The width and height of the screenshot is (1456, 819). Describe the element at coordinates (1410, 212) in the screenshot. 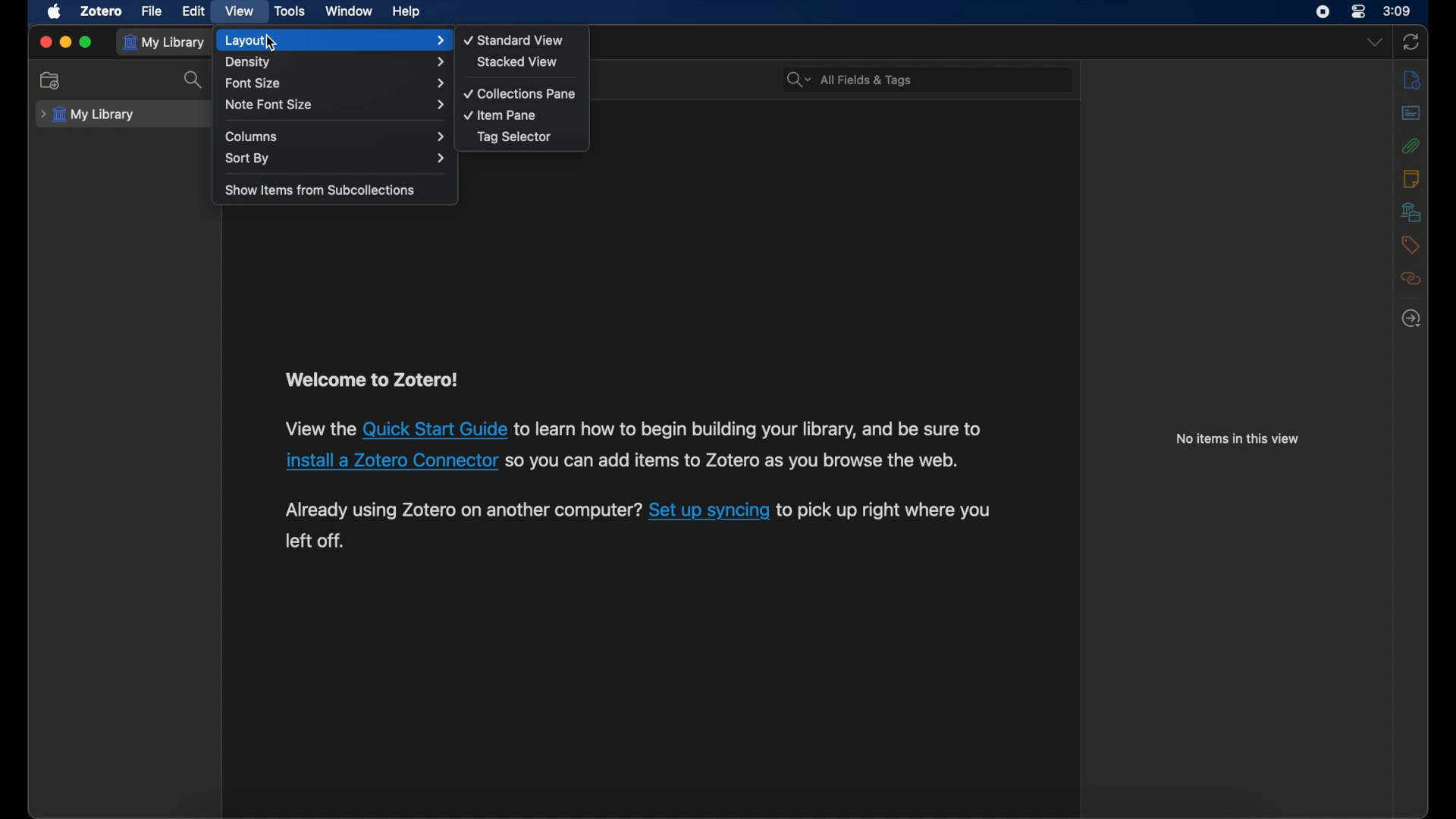

I see `libraries` at that location.